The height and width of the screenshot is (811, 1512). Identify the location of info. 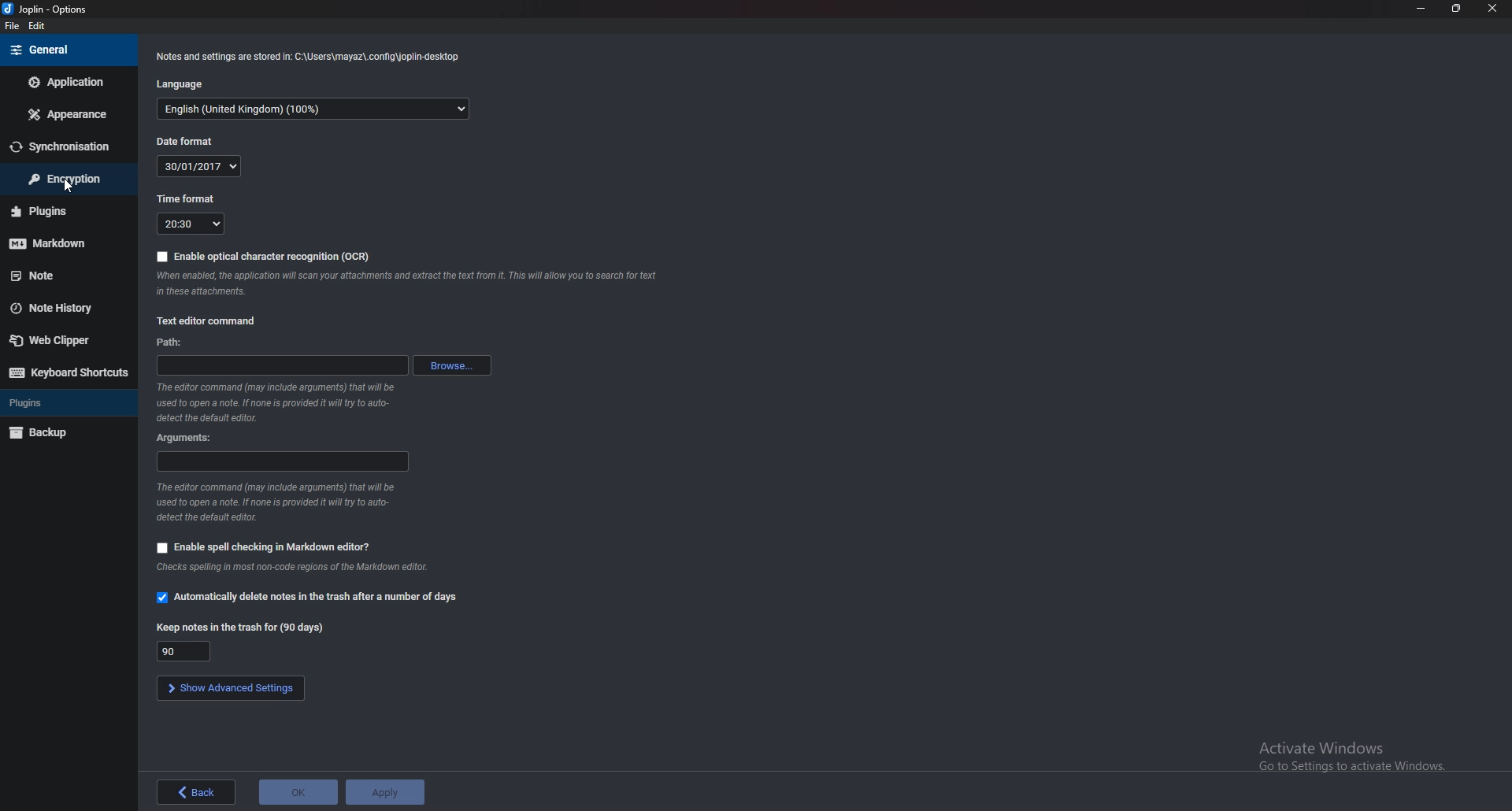
(276, 502).